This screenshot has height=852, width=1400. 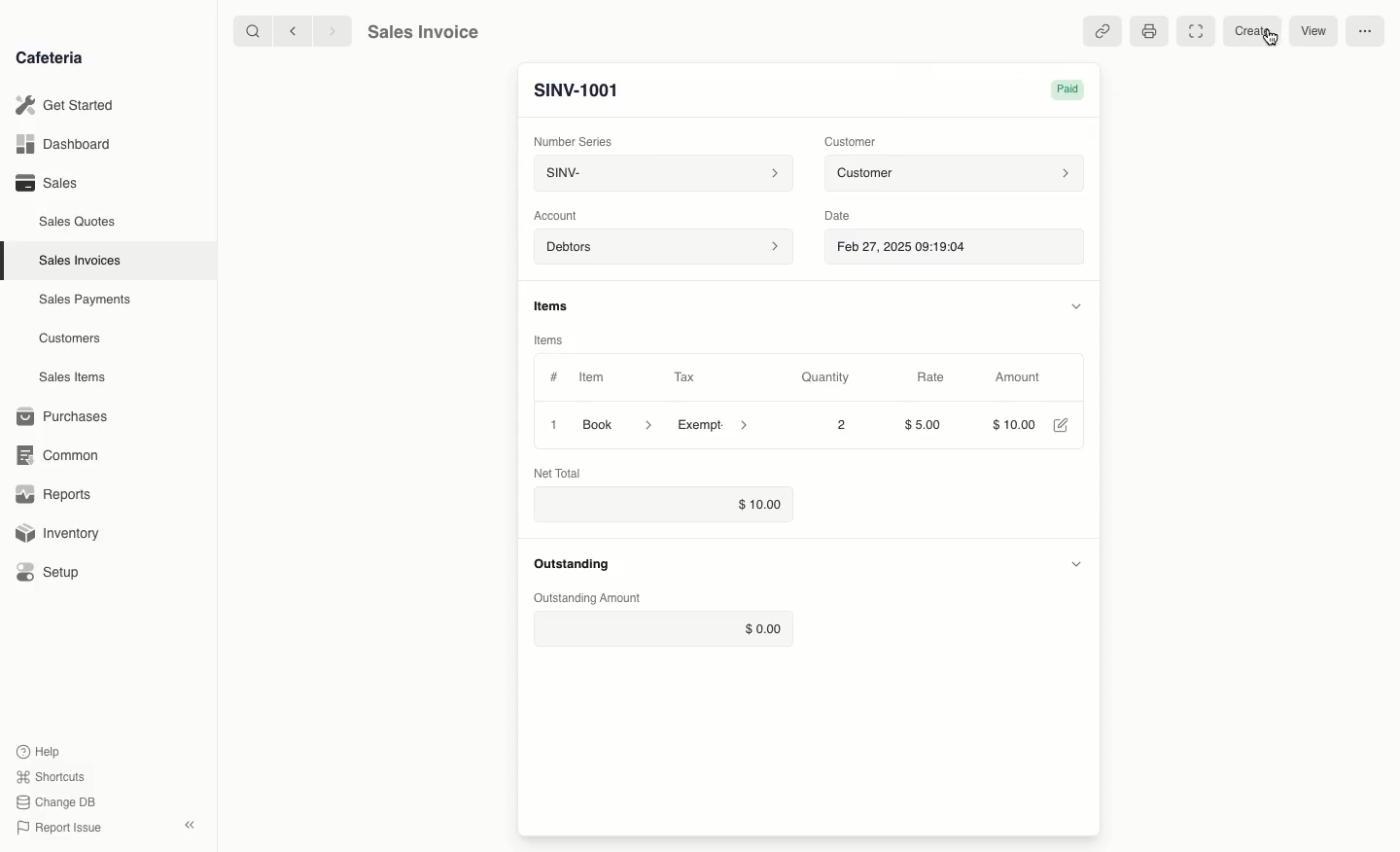 I want to click on Report Issue, so click(x=63, y=826).